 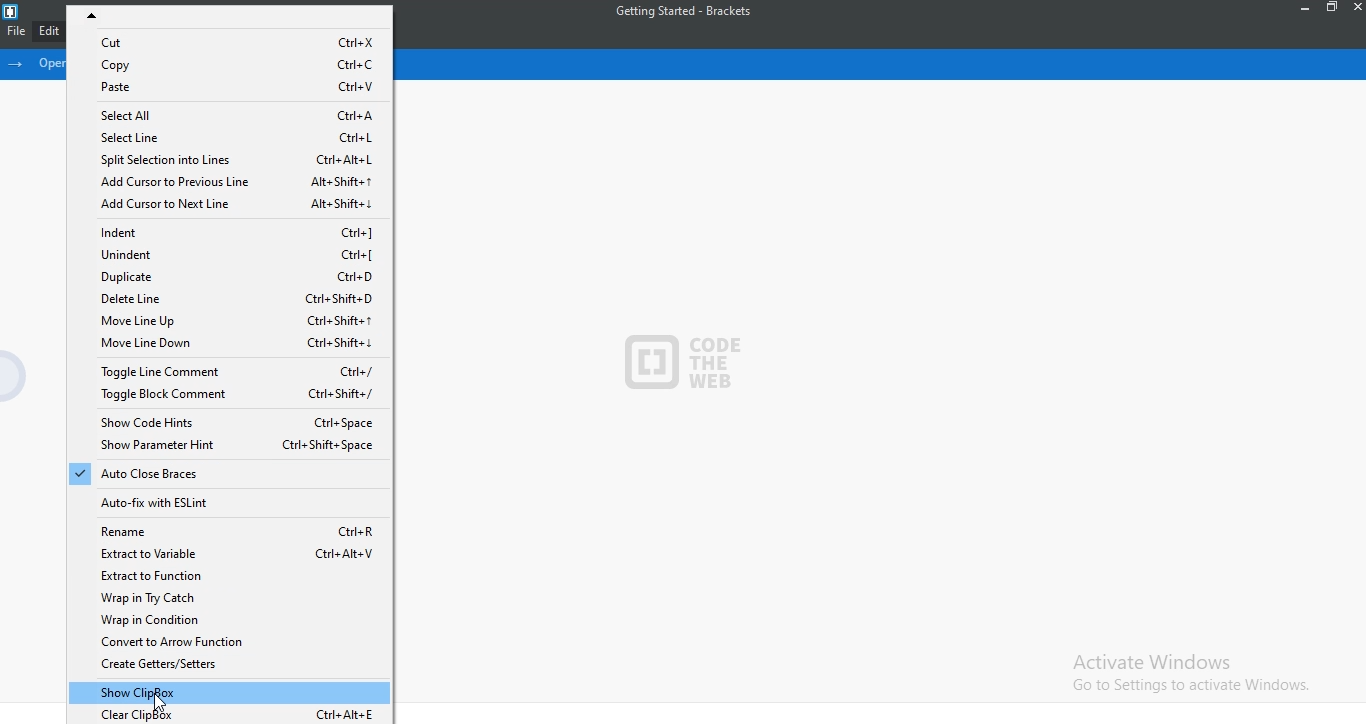 I want to click on close, so click(x=1357, y=11).